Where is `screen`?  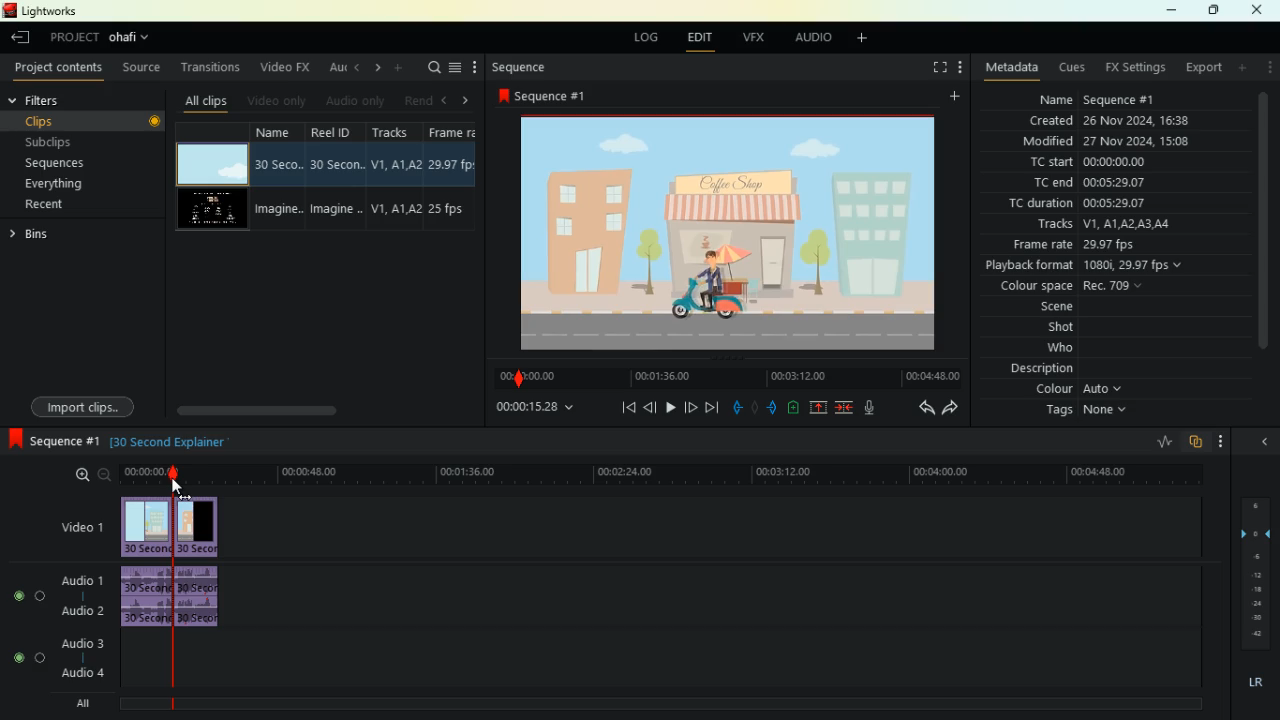 screen is located at coordinates (936, 69).